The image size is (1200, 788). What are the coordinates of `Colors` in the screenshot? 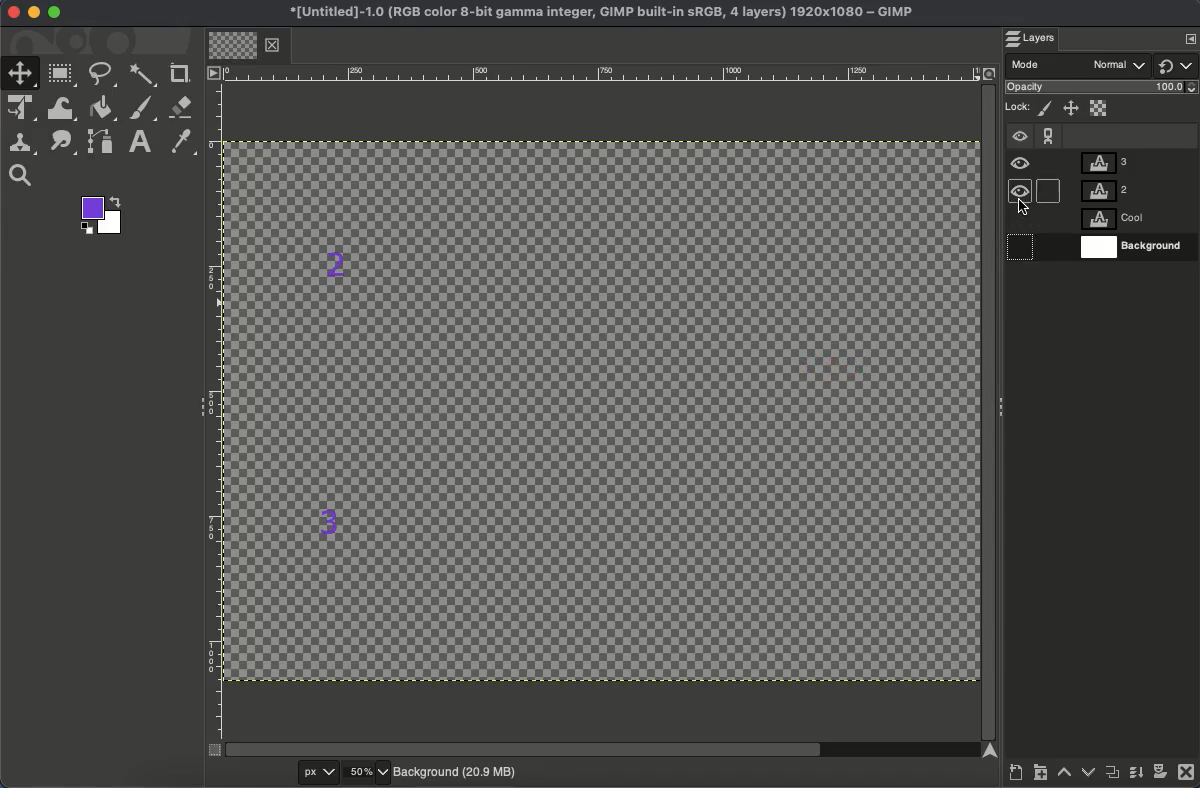 It's located at (104, 217).